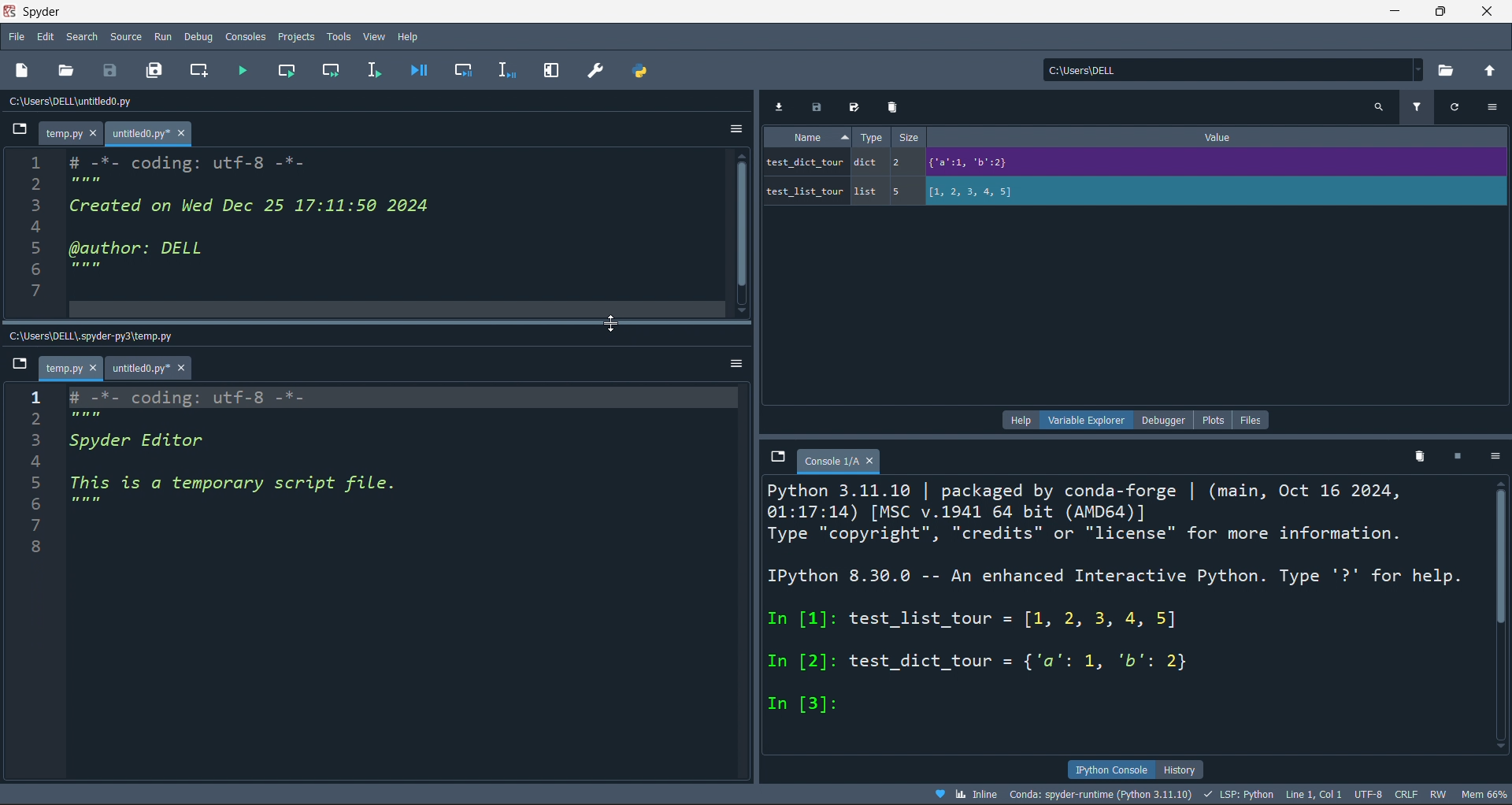  What do you see at coordinates (1392, 12) in the screenshot?
I see `minimize` at bounding box center [1392, 12].